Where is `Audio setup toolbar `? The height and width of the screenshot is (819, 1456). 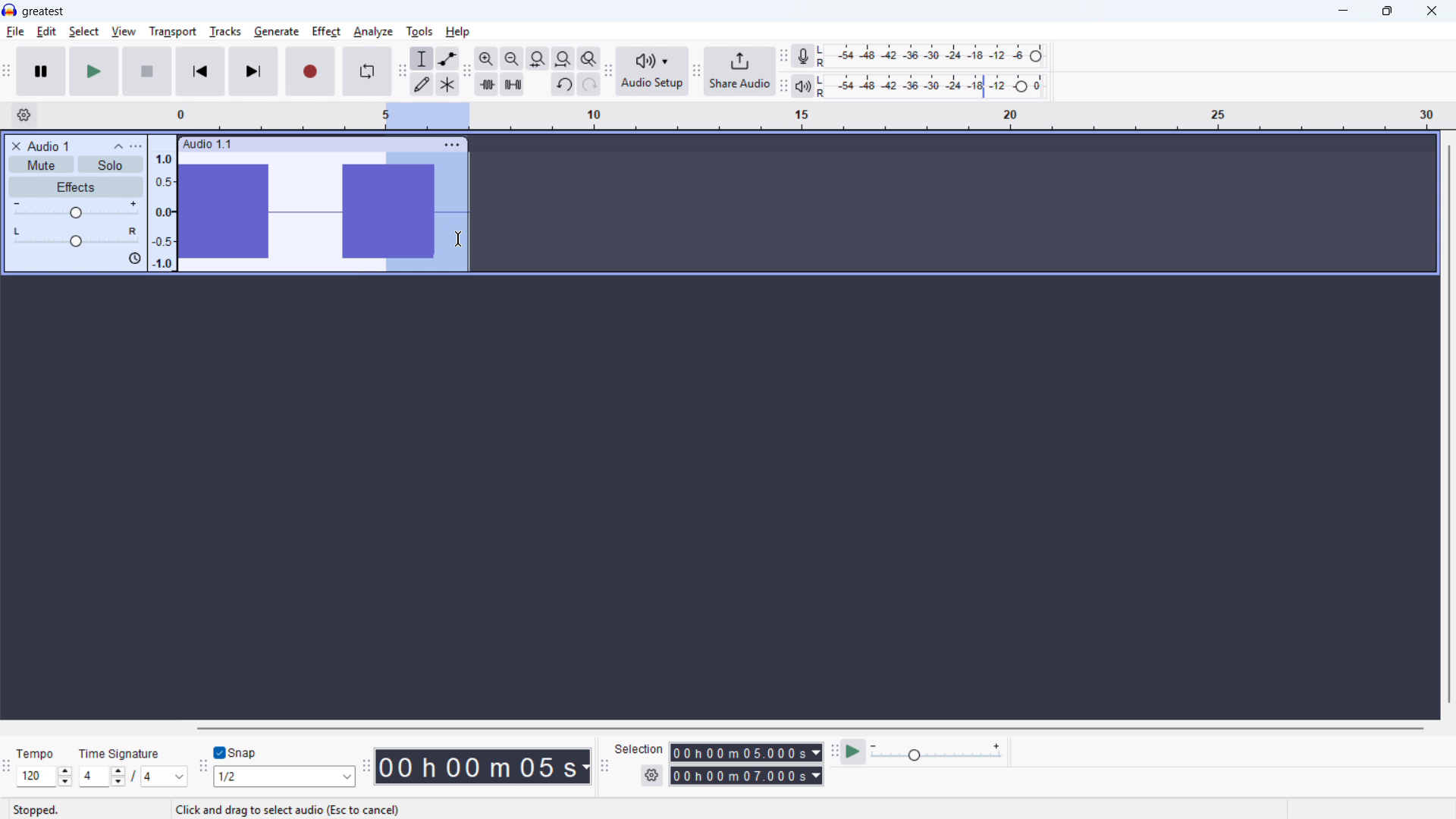 Audio setup toolbar  is located at coordinates (609, 73).